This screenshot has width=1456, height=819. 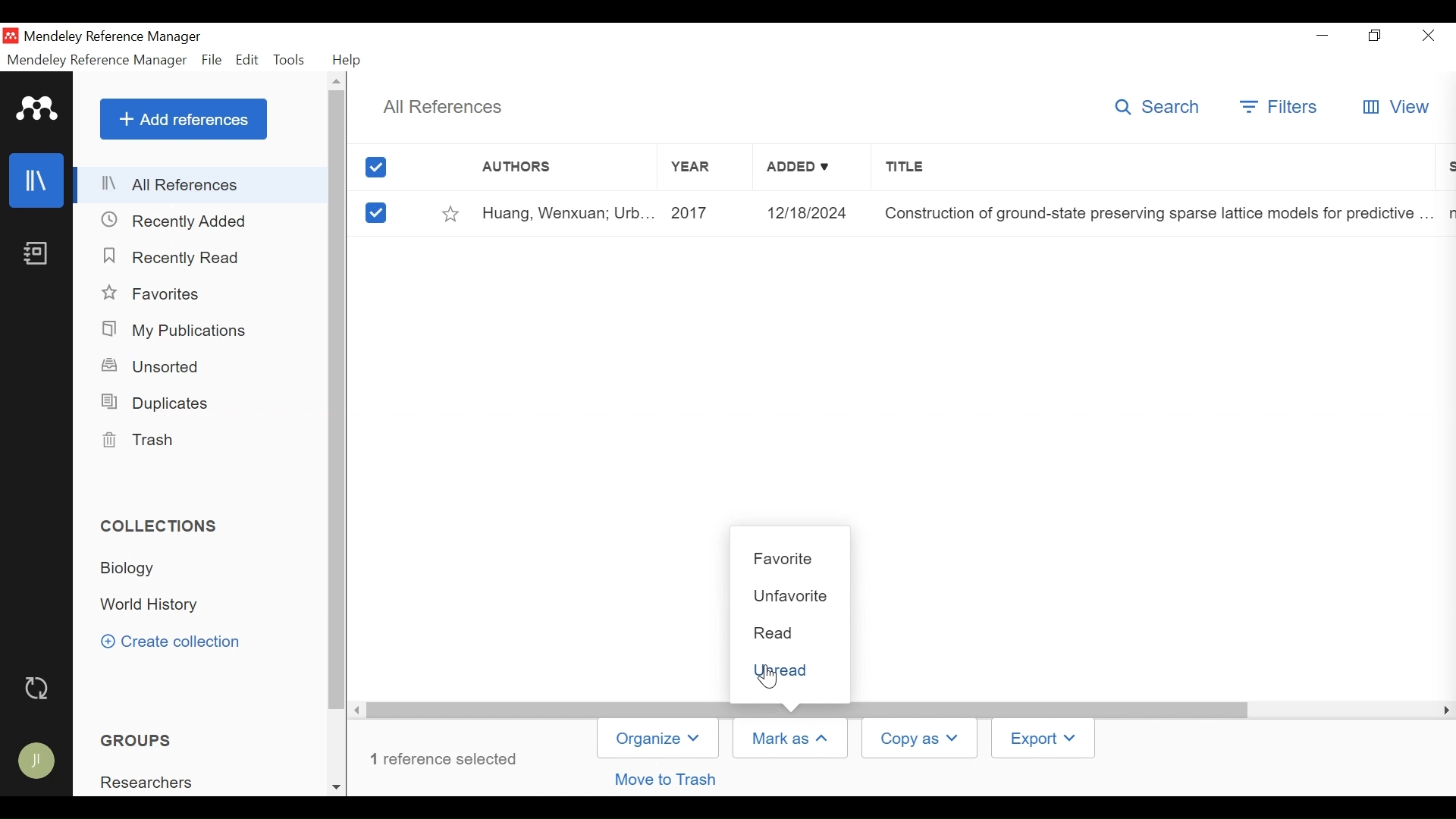 I want to click on Notebook, so click(x=38, y=255).